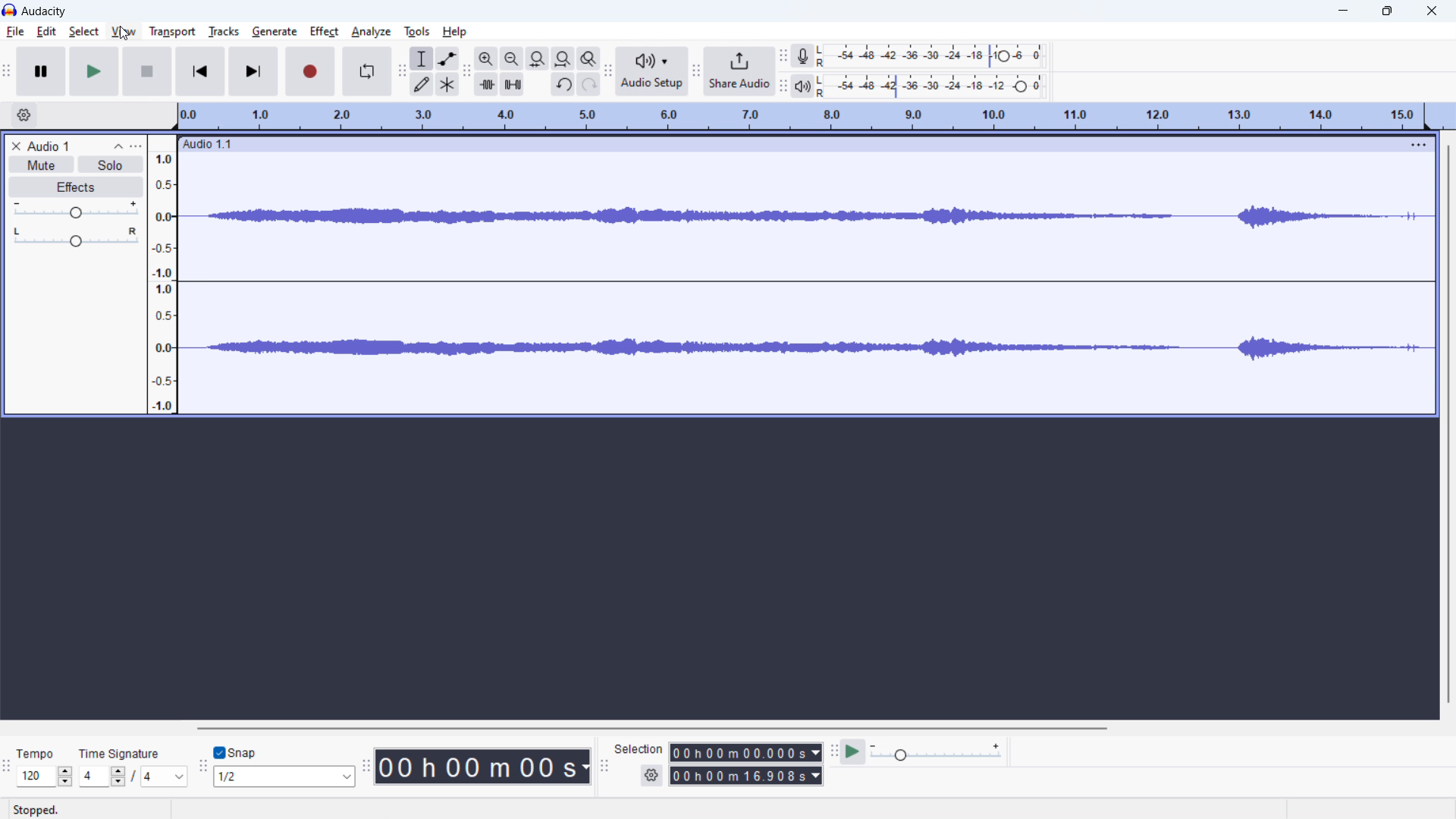  Describe the element at coordinates (652, 72) in the screenshot. I see `audio setup` at that location.